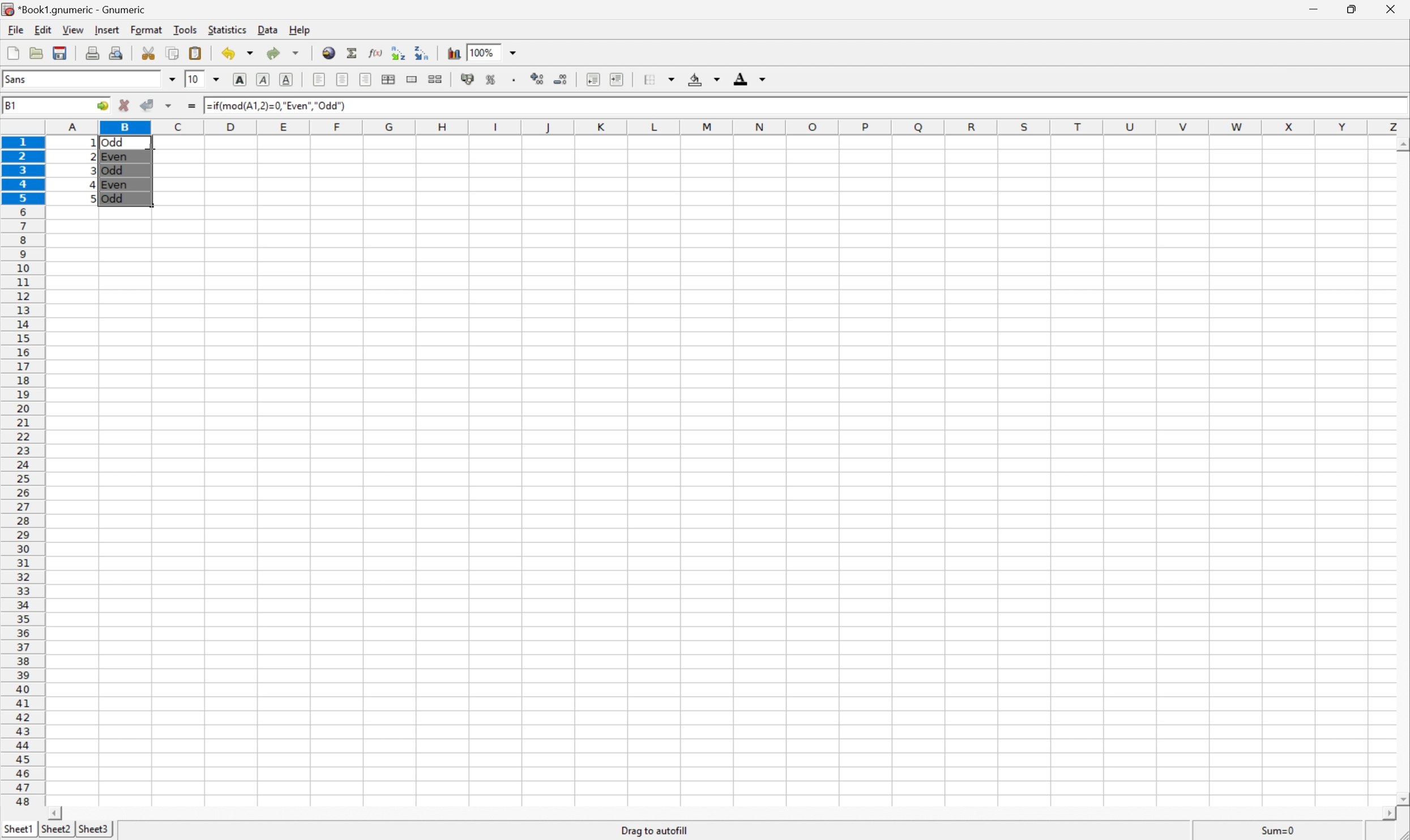 The width and height of the screenshot is (1410, 840). I want to click on Center horizontally, so click(342, 78).